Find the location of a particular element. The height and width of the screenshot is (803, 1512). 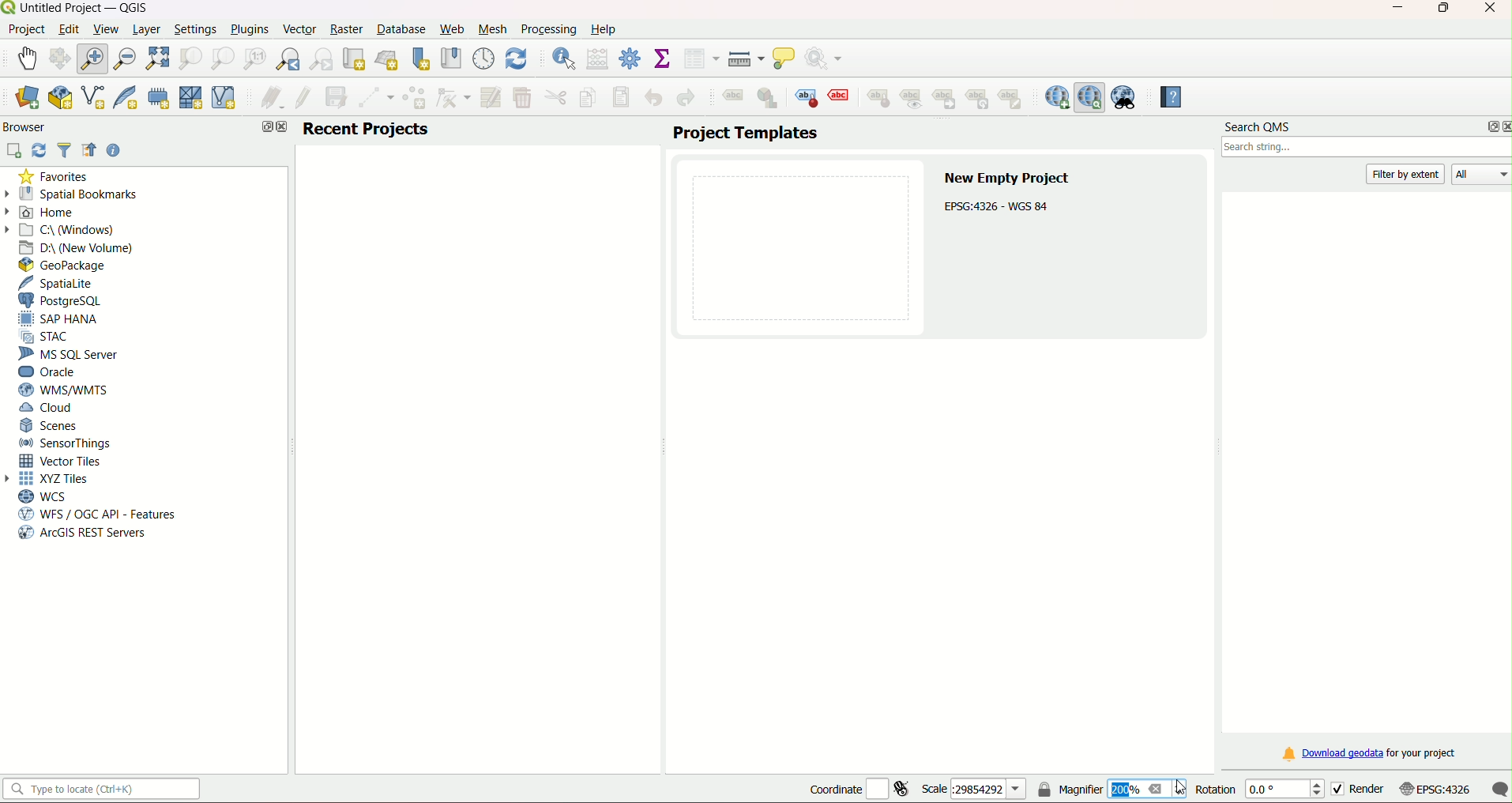

WMS/WMTS is located at coordinates (62, 390).